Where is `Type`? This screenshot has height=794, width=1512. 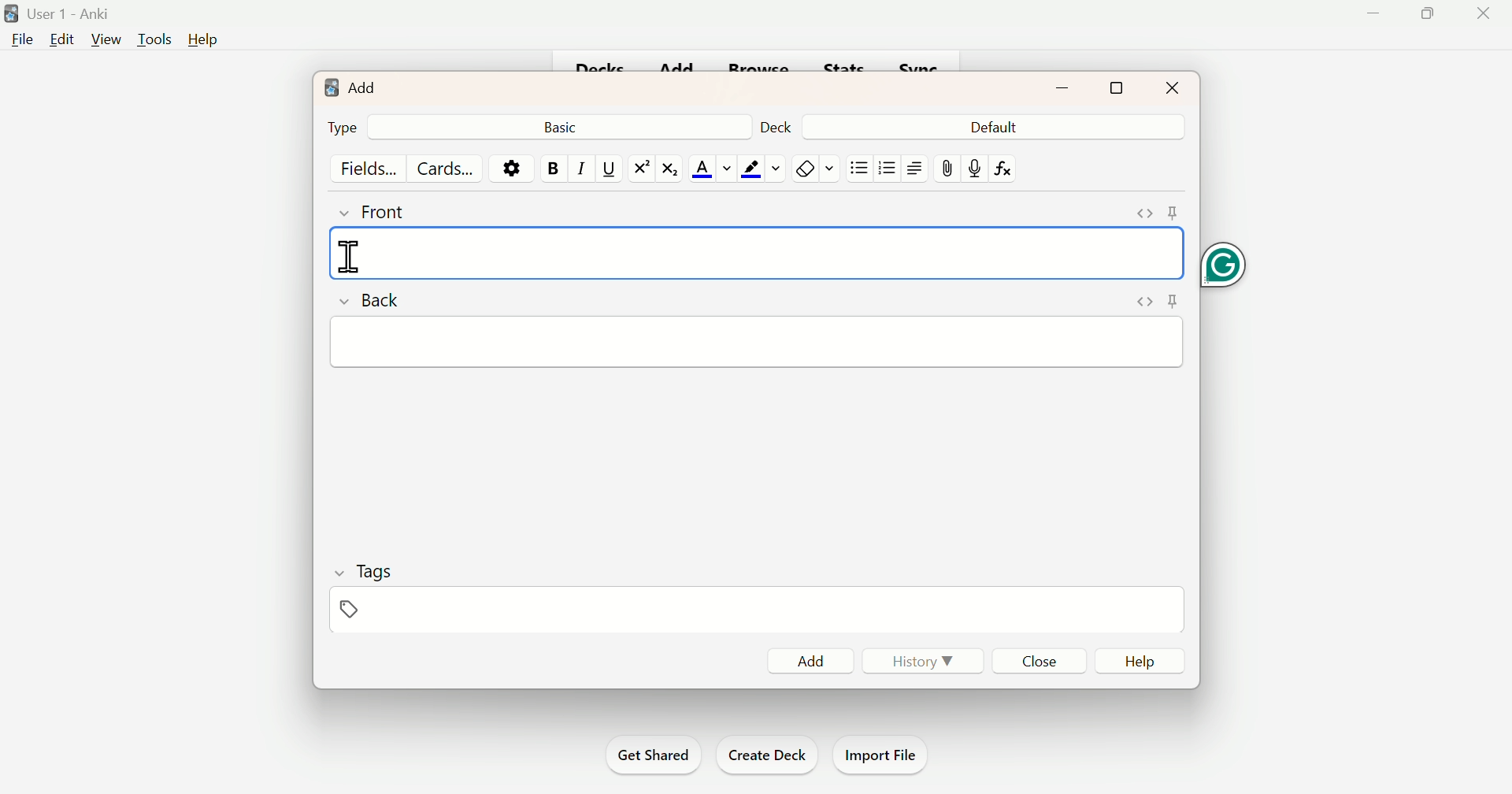 Type is located at coordinates (343, 126).